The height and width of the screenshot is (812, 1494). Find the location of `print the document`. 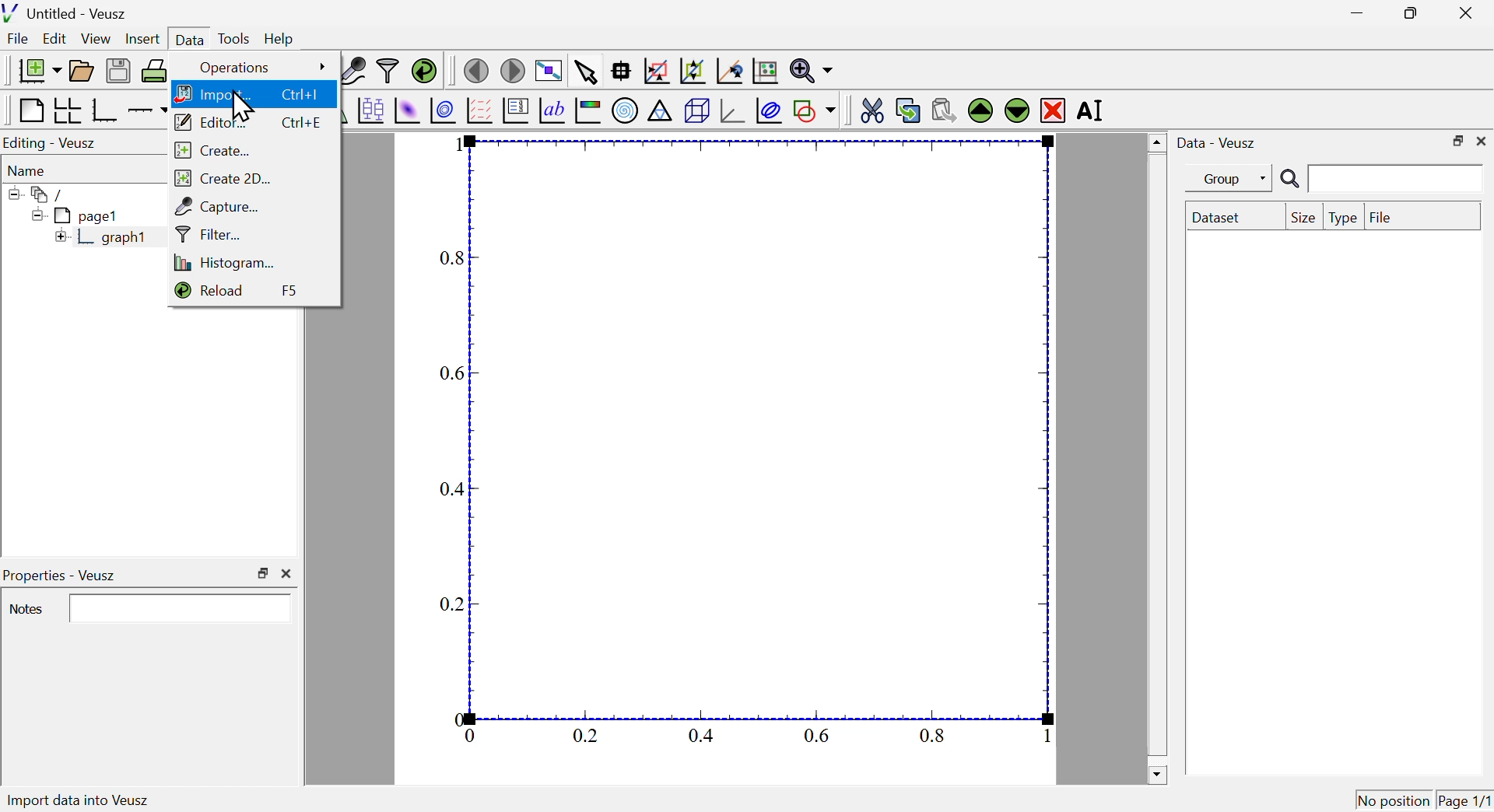

print the document is located at coordinates (156, 71).